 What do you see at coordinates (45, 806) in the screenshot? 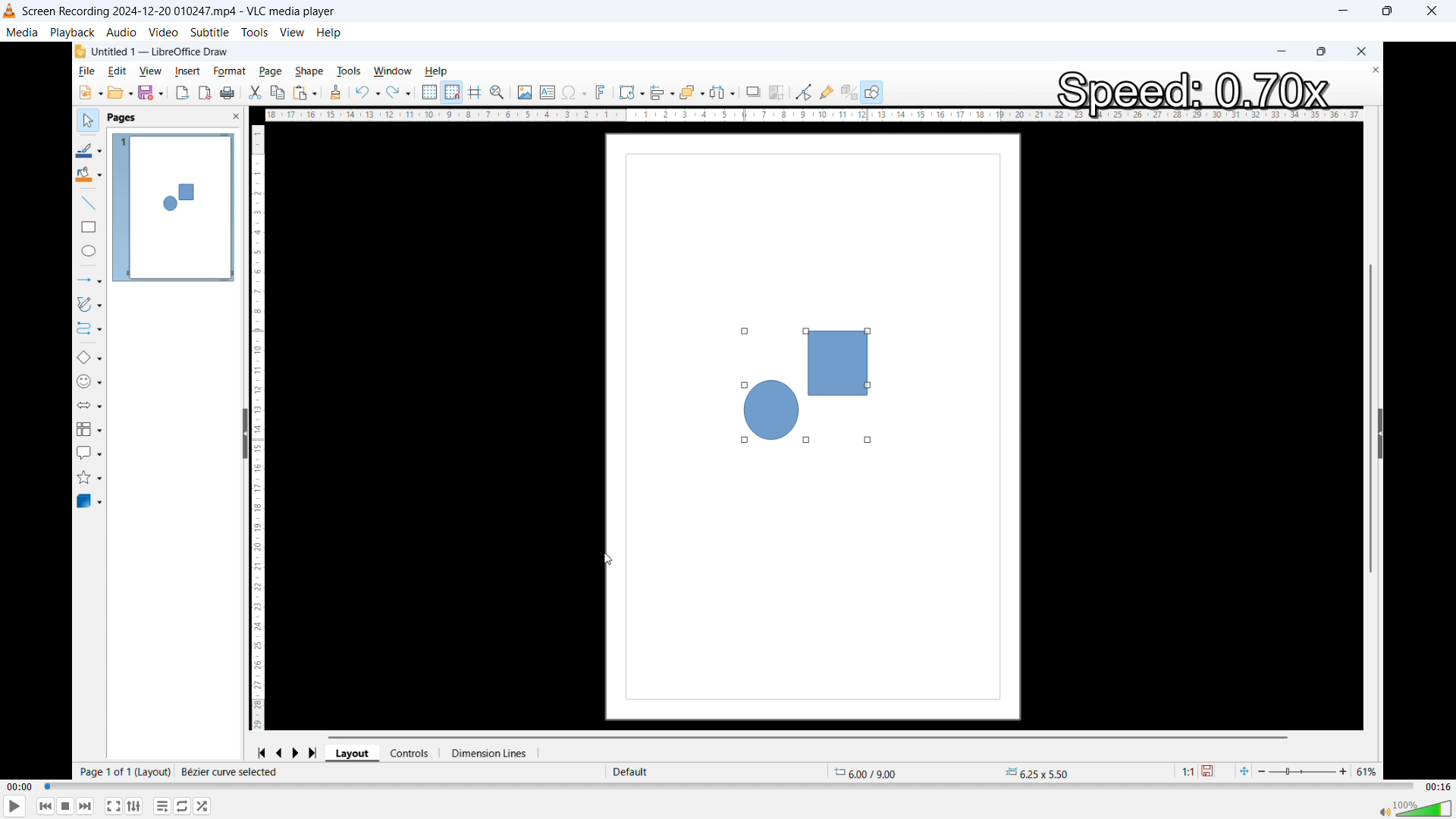
I see `Backward or previous media ` at bounding box center [45, 806].